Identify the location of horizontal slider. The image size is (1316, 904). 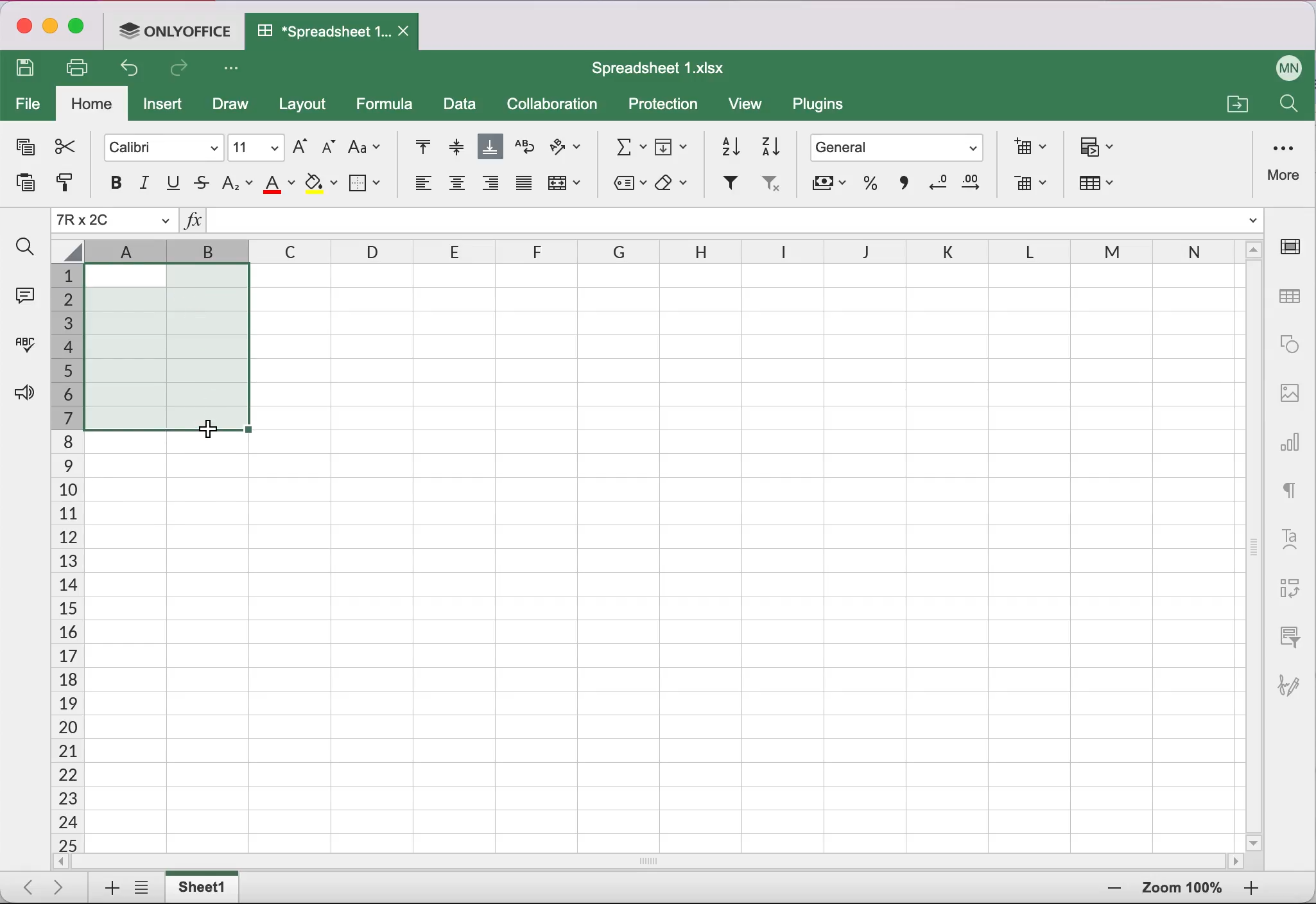
(664, 861).